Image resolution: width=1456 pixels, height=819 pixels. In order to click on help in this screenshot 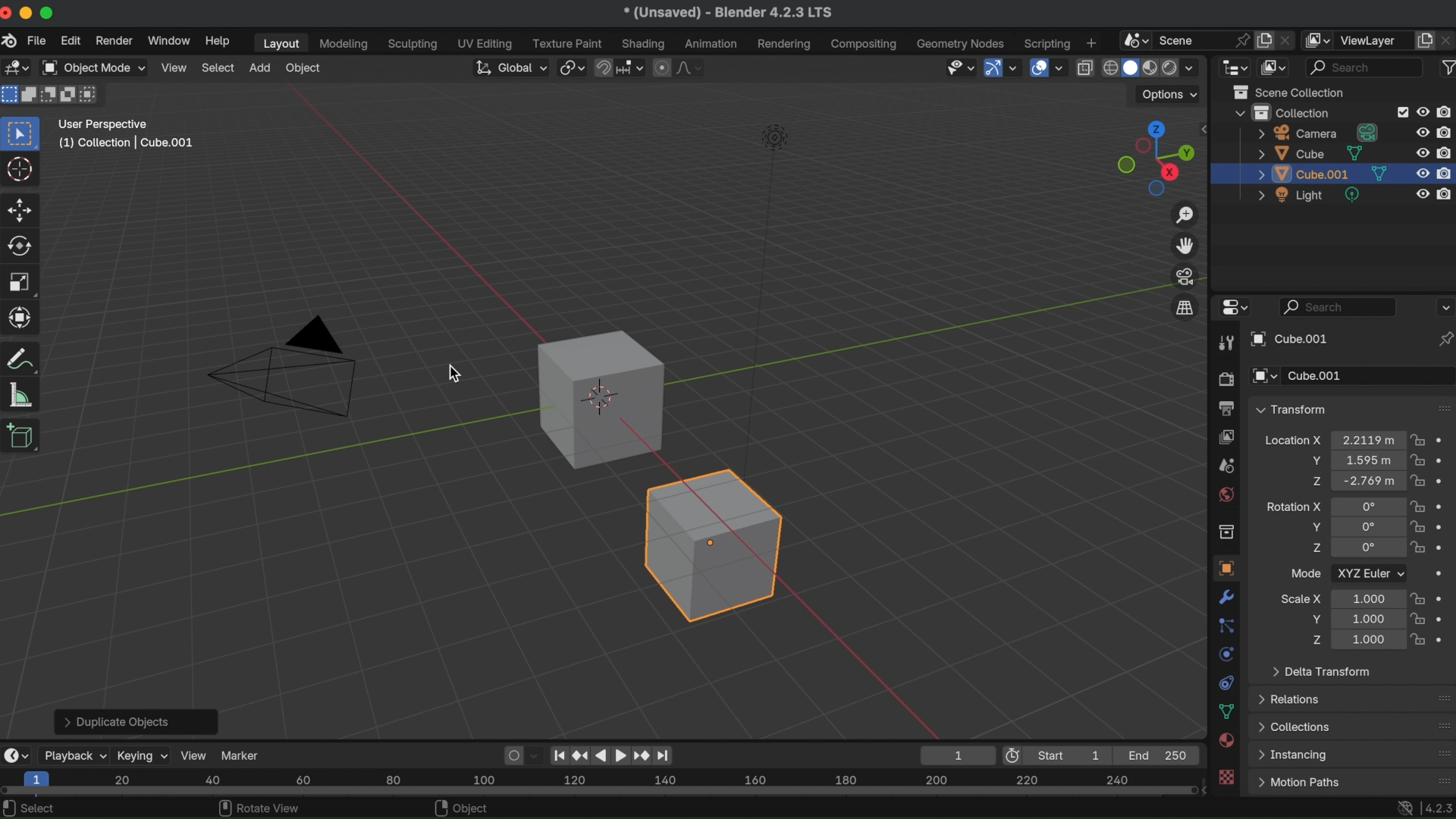, I will do `click(217, 41)`.